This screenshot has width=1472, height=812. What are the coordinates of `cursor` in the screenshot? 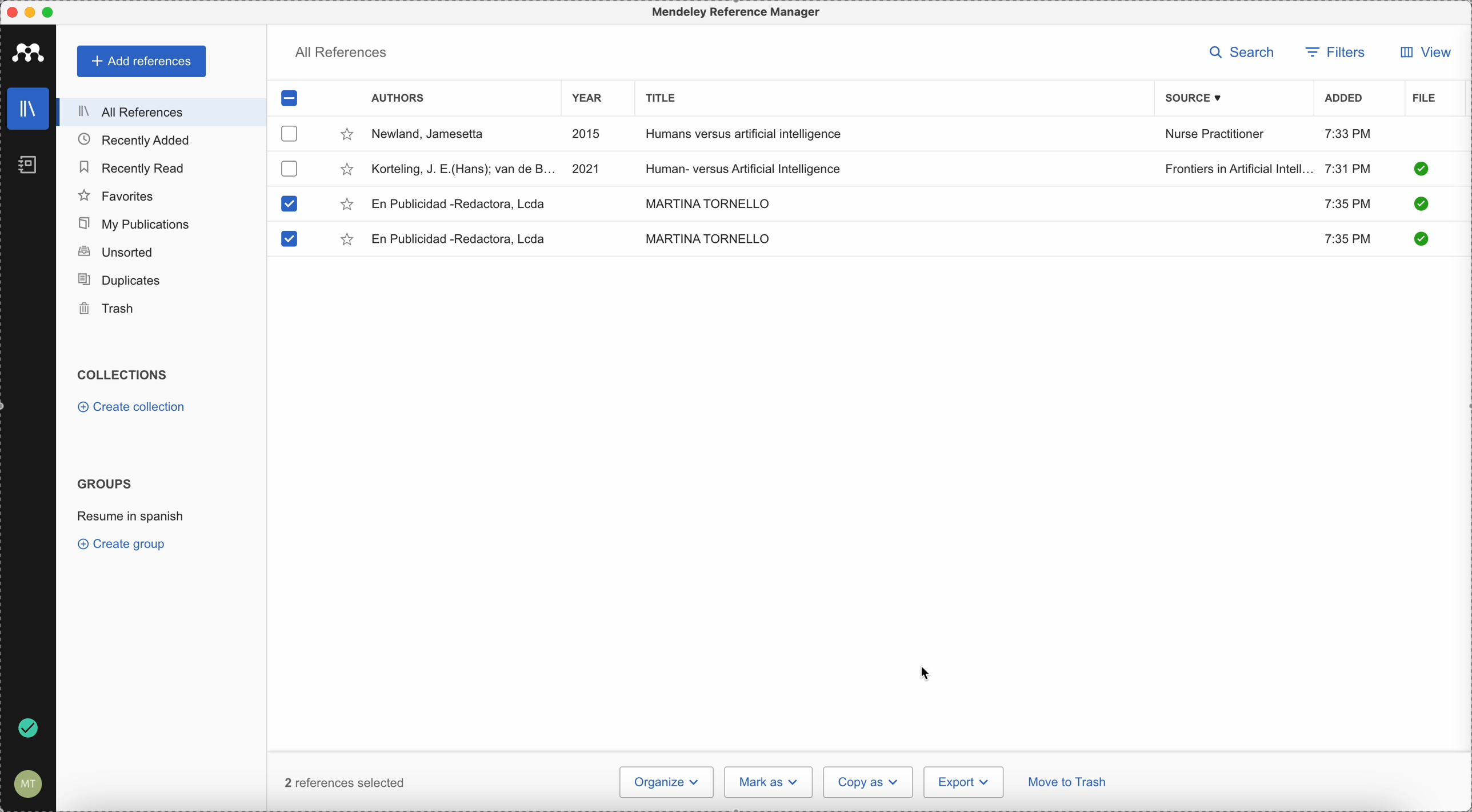 It's located at (926, 673).